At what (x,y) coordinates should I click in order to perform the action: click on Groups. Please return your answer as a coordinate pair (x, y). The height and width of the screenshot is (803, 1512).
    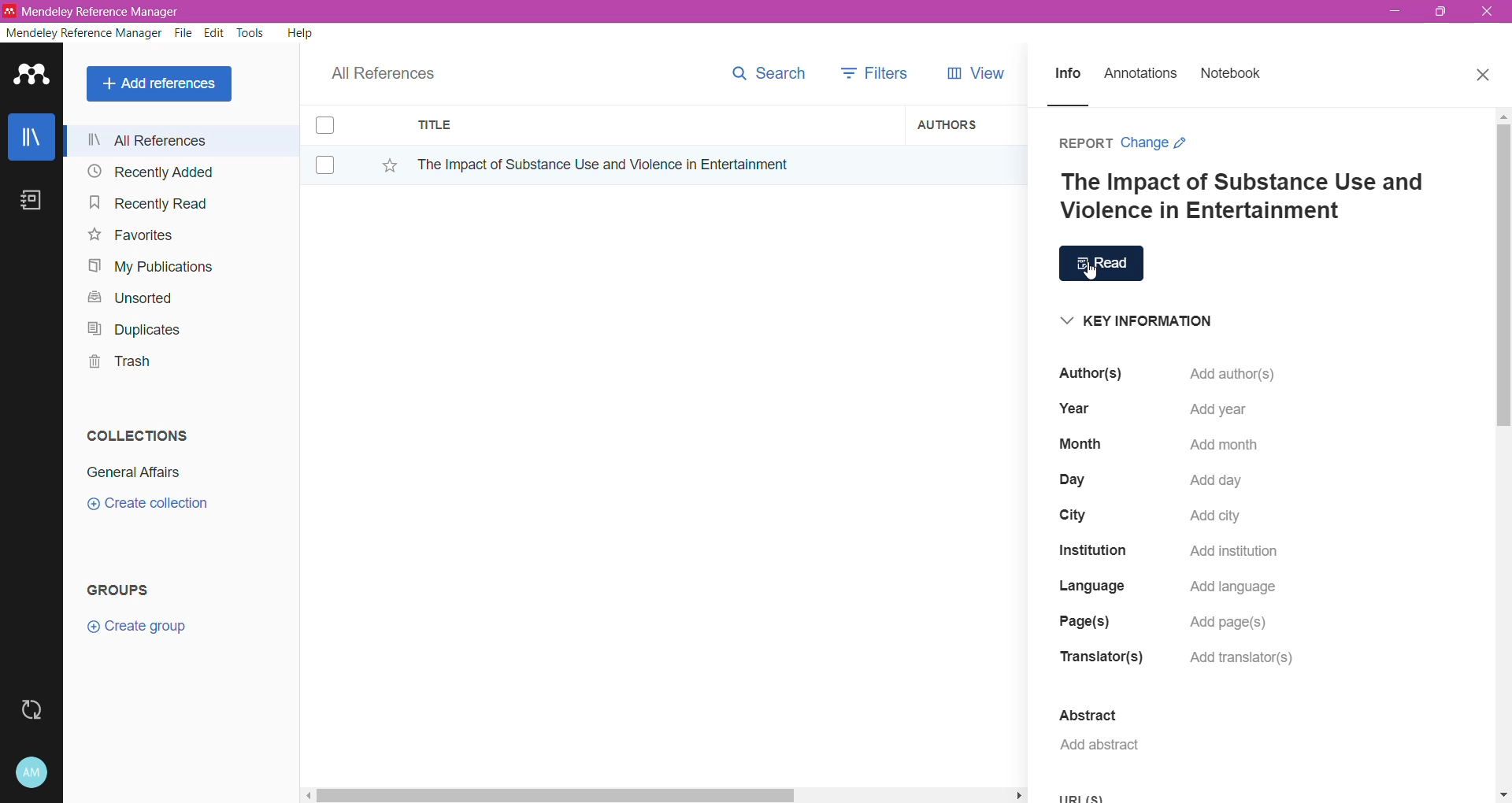
    Looking at the image, I should click on (118, 590).